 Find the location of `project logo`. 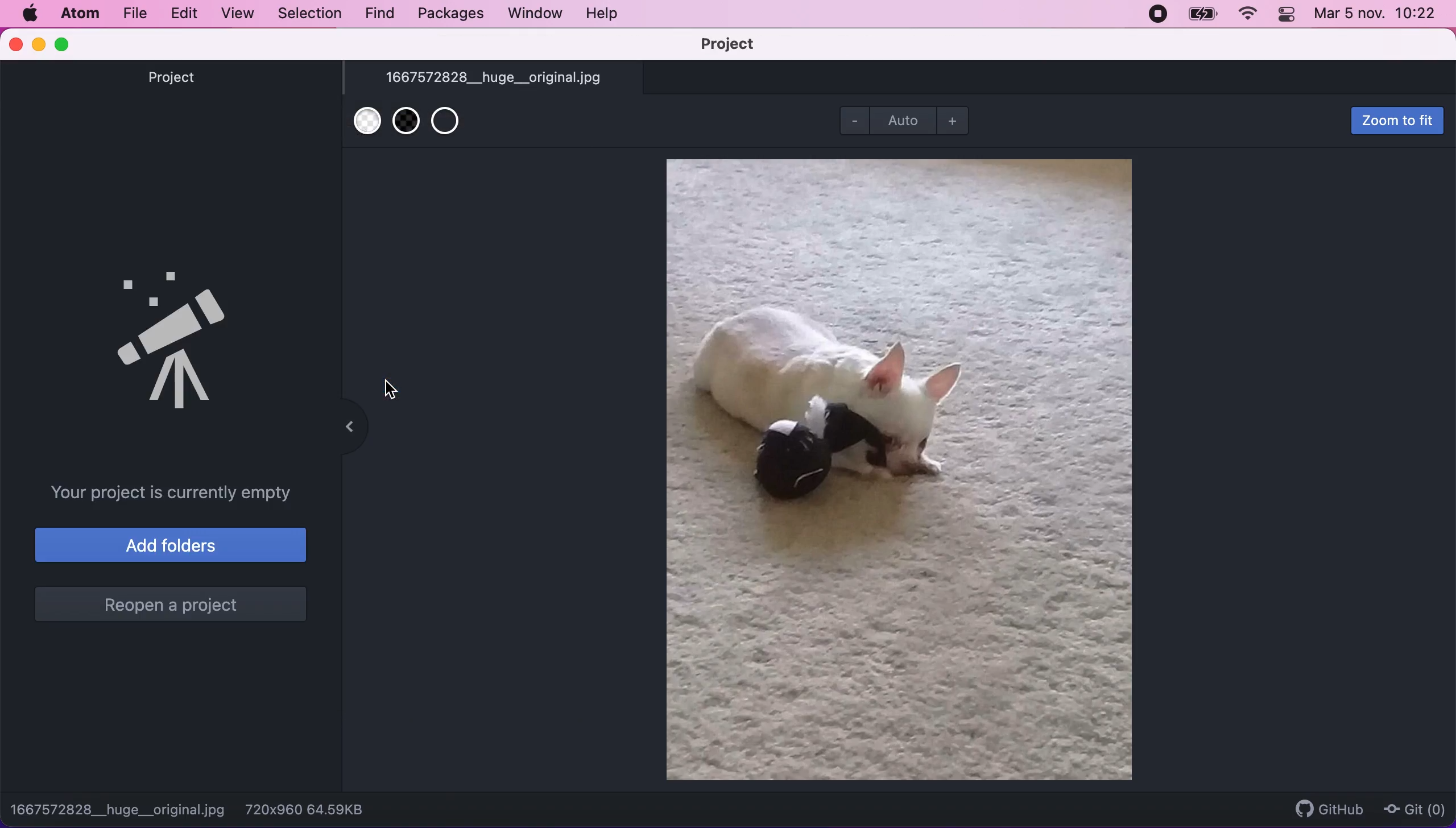

project logo is located at coordinates (188, 336).